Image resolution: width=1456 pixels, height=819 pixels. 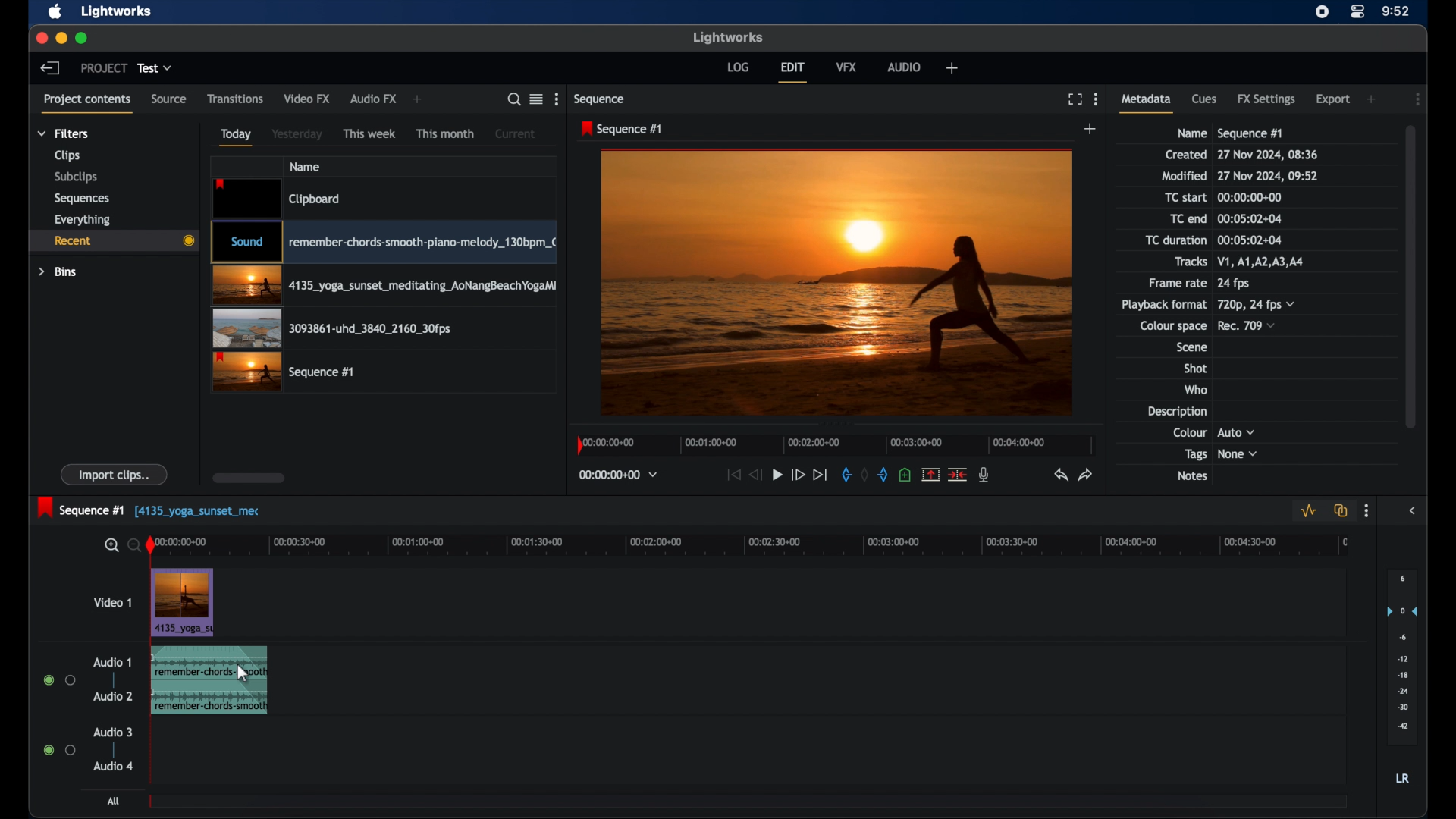 What do you see at coordinates (76, 178) in the screenshot?
I see `subclips` at bounding box center [76, 178].